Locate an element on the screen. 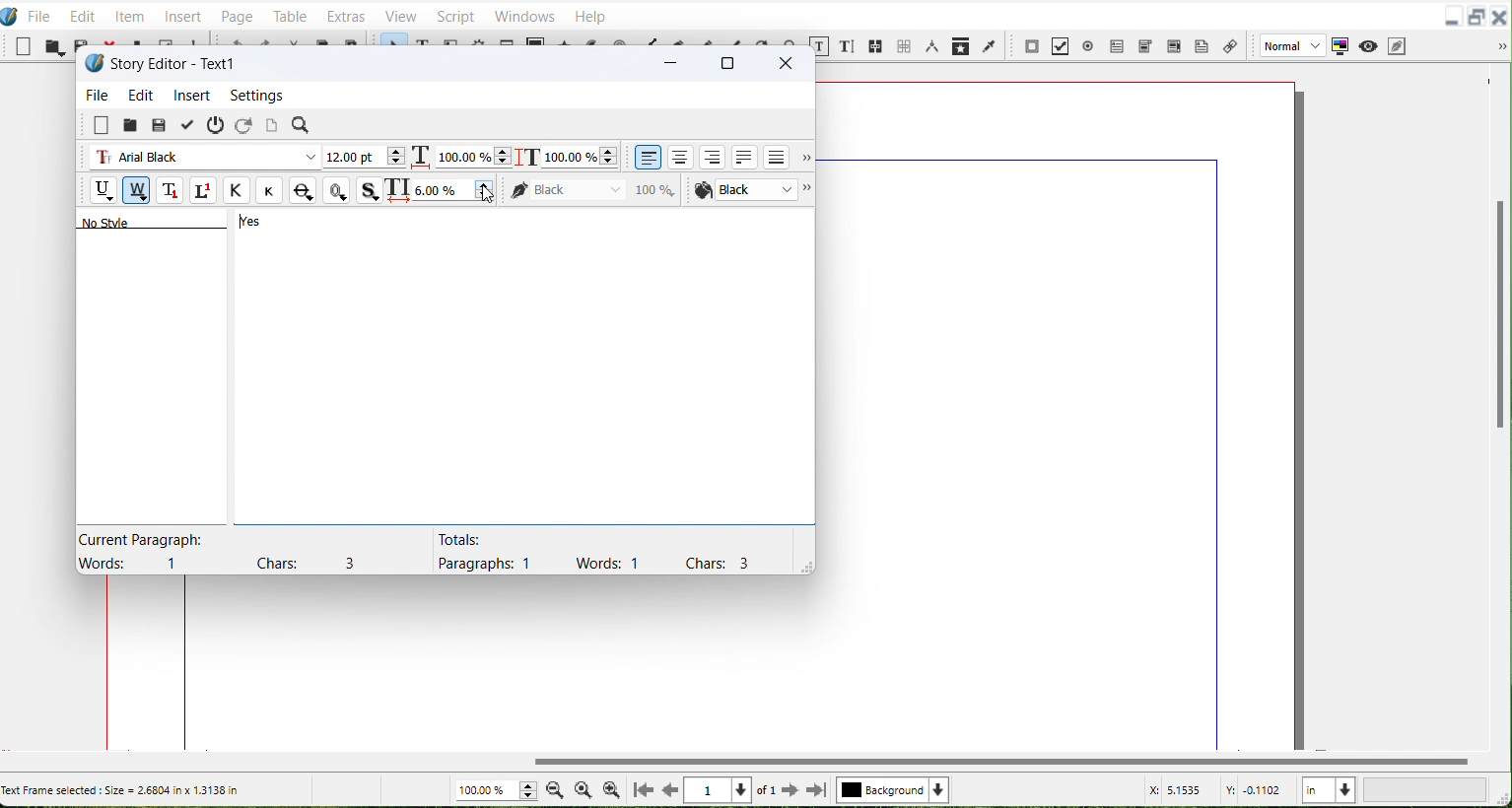 The height and width of the screenshot is (808, 1512). Update text frame is located at coordinates (187, 125).